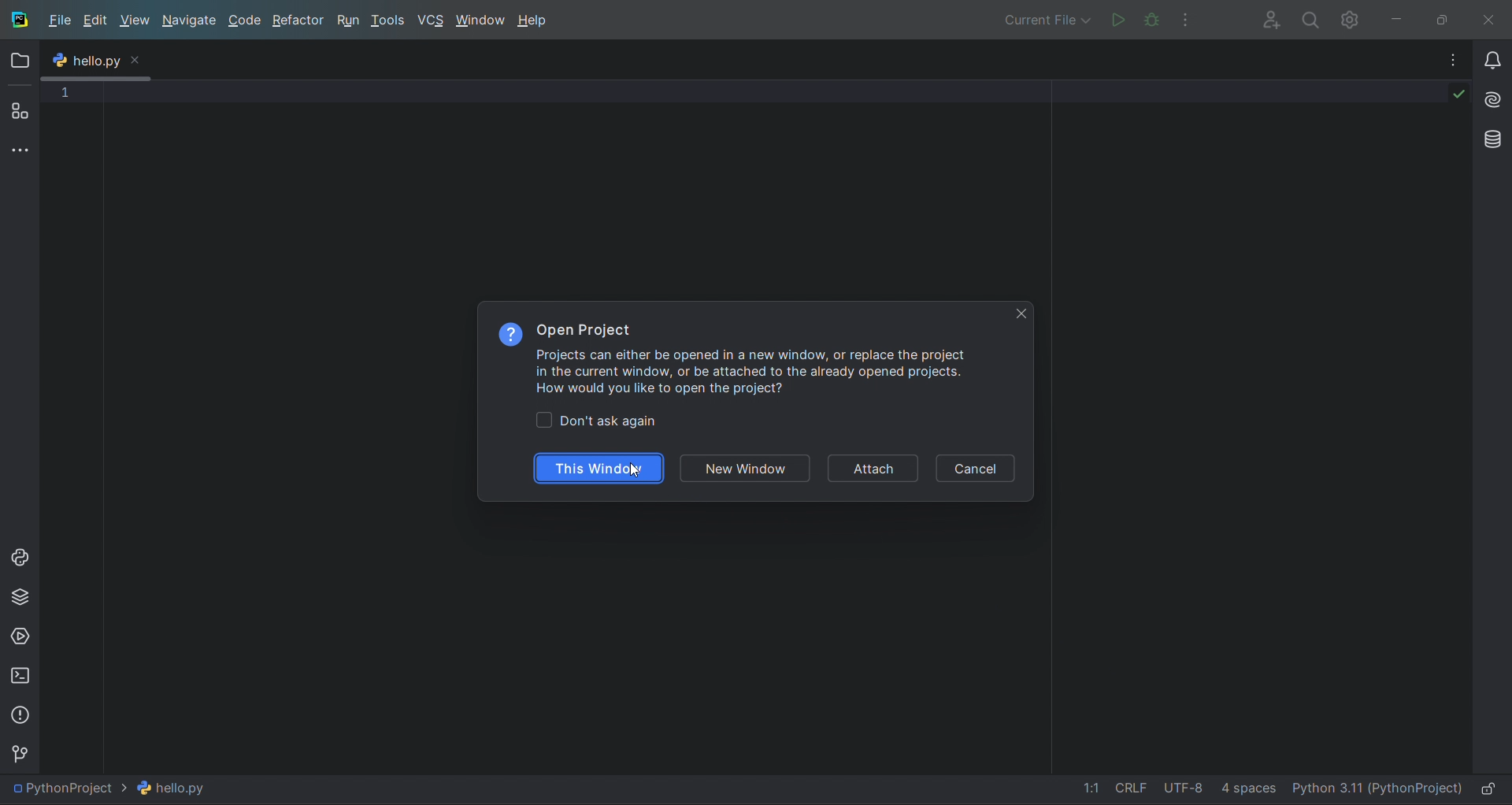  Describe the element at coordinates (24, 752) in the screenshot. I see `version control` at that location.